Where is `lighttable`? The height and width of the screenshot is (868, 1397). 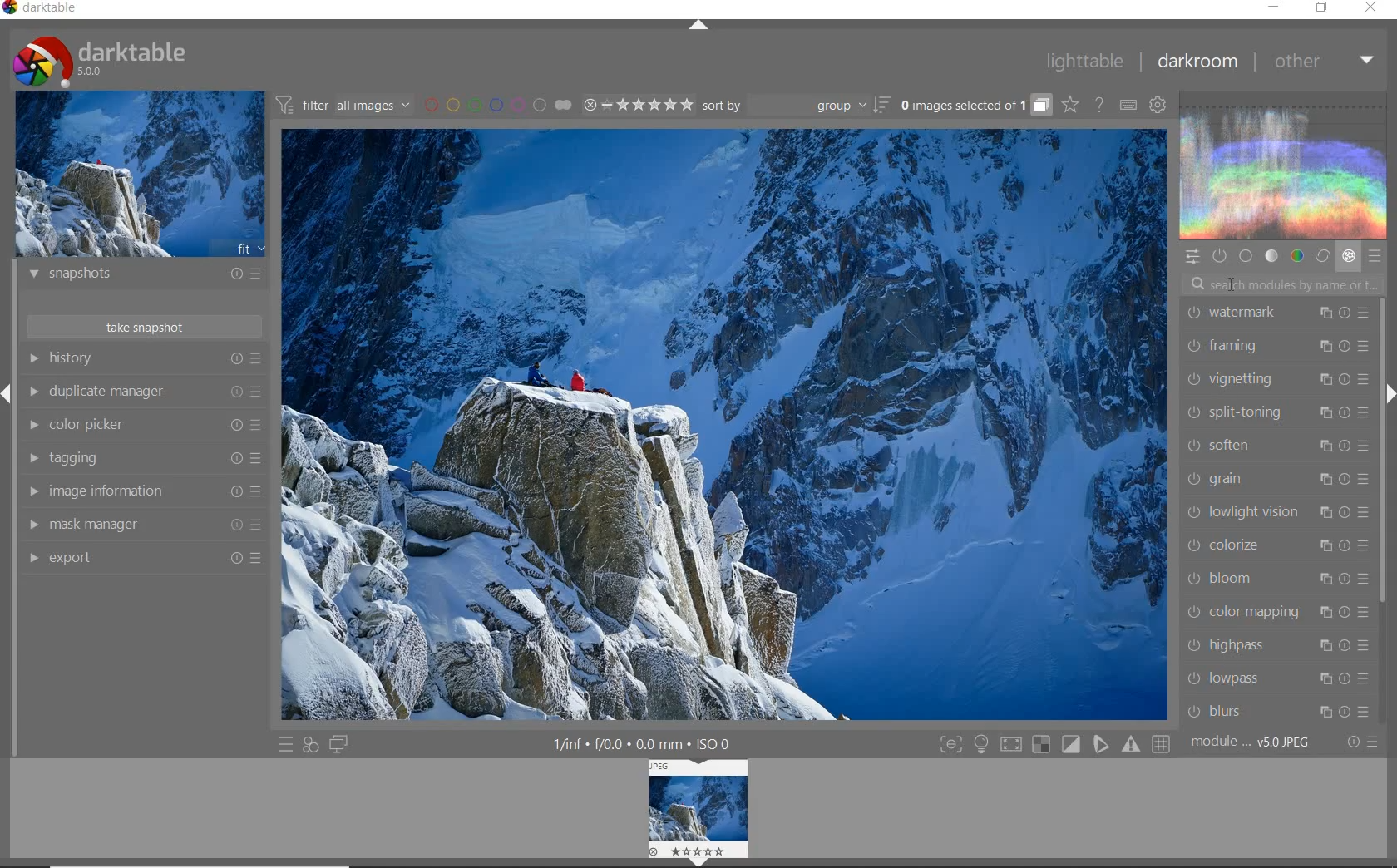 lighttable is located at coordinates (1085, 60).